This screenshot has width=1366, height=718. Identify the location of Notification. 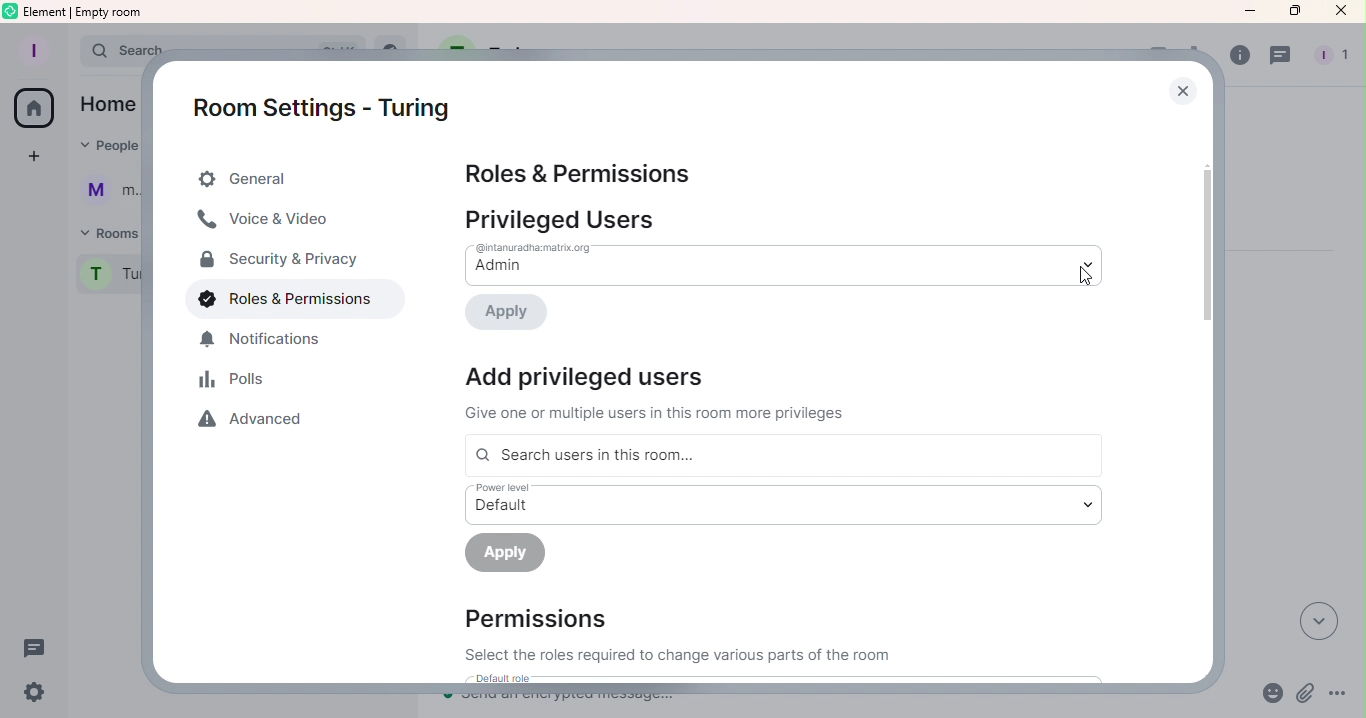
(261, 339).